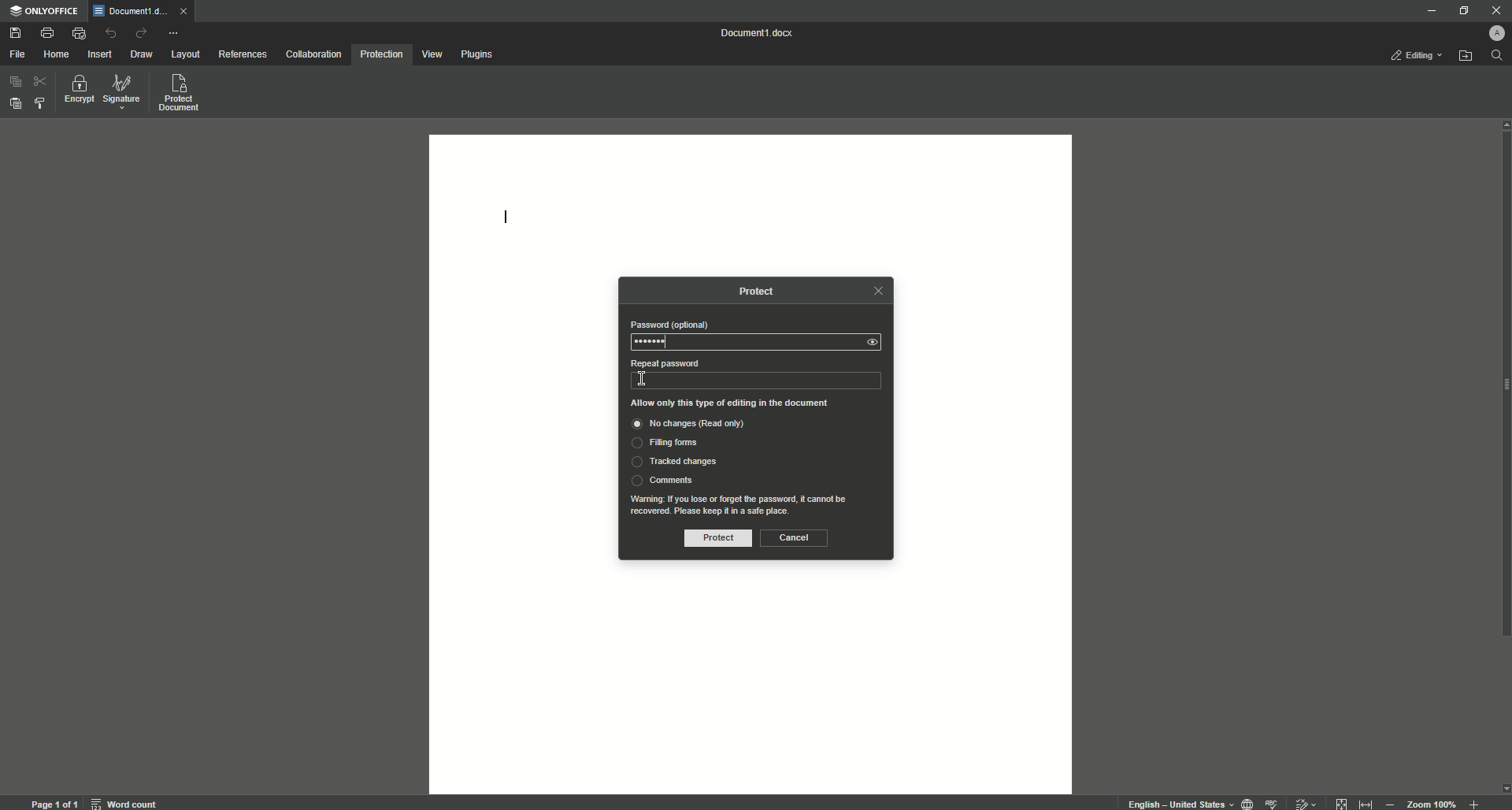 This screenshot has height=810, width=1512. What do you see at coordinates (132, 12) in the screenshot?
I see `Tab 1` at bounding box center [132, 12].